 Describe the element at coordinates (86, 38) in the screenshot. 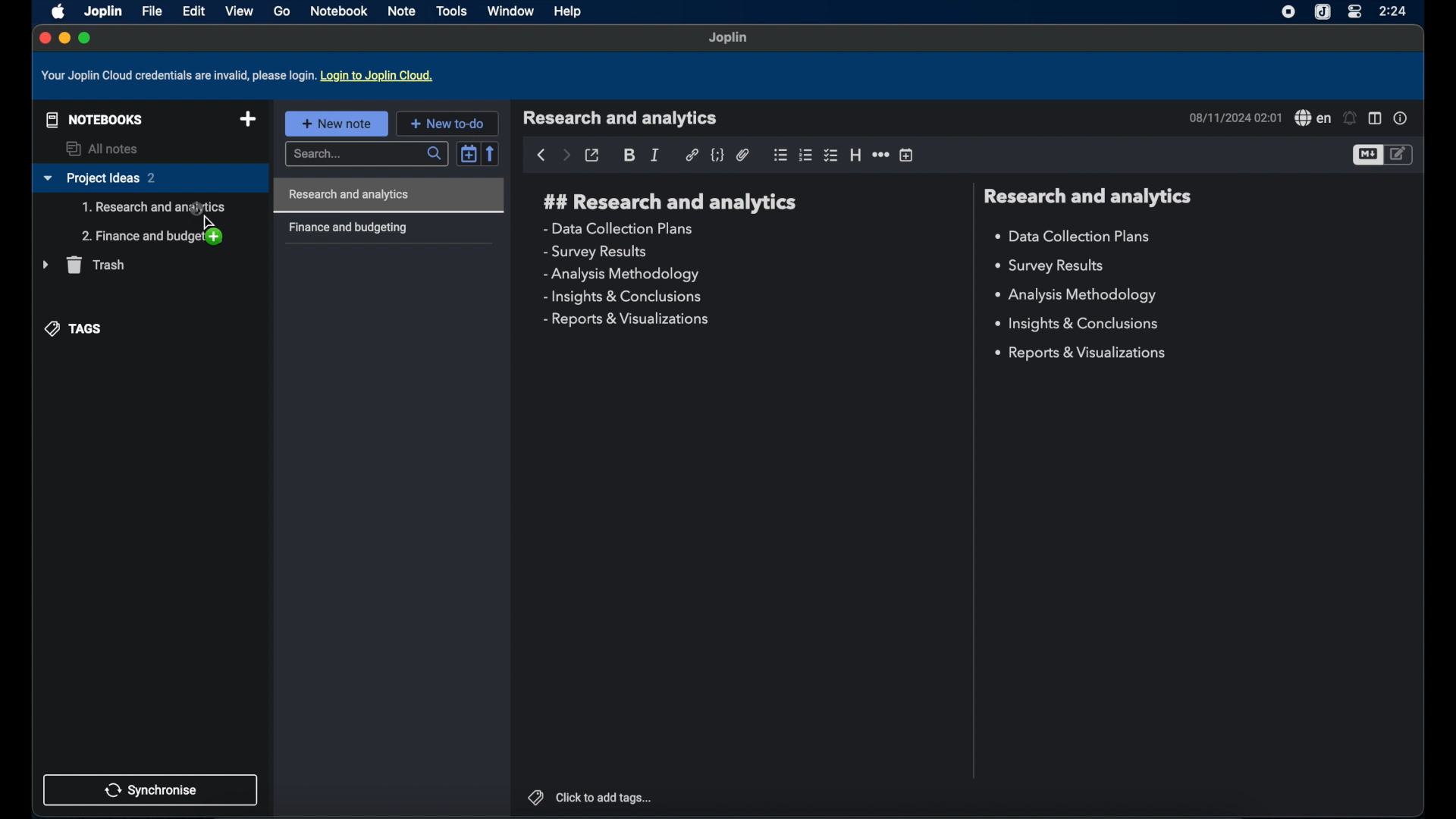

I see `maximize` at that location.